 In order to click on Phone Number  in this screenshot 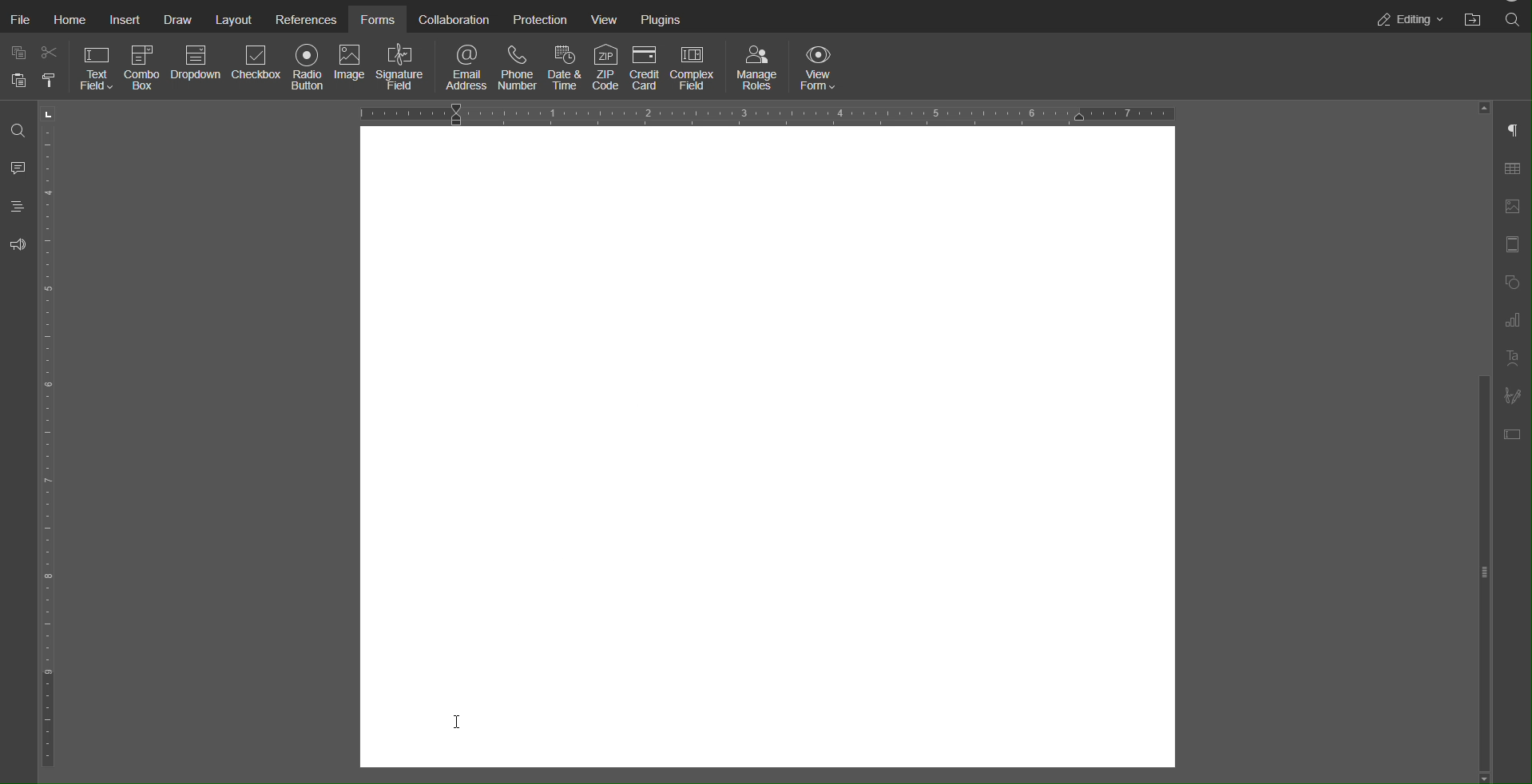, I will do `click(512, 66)`.